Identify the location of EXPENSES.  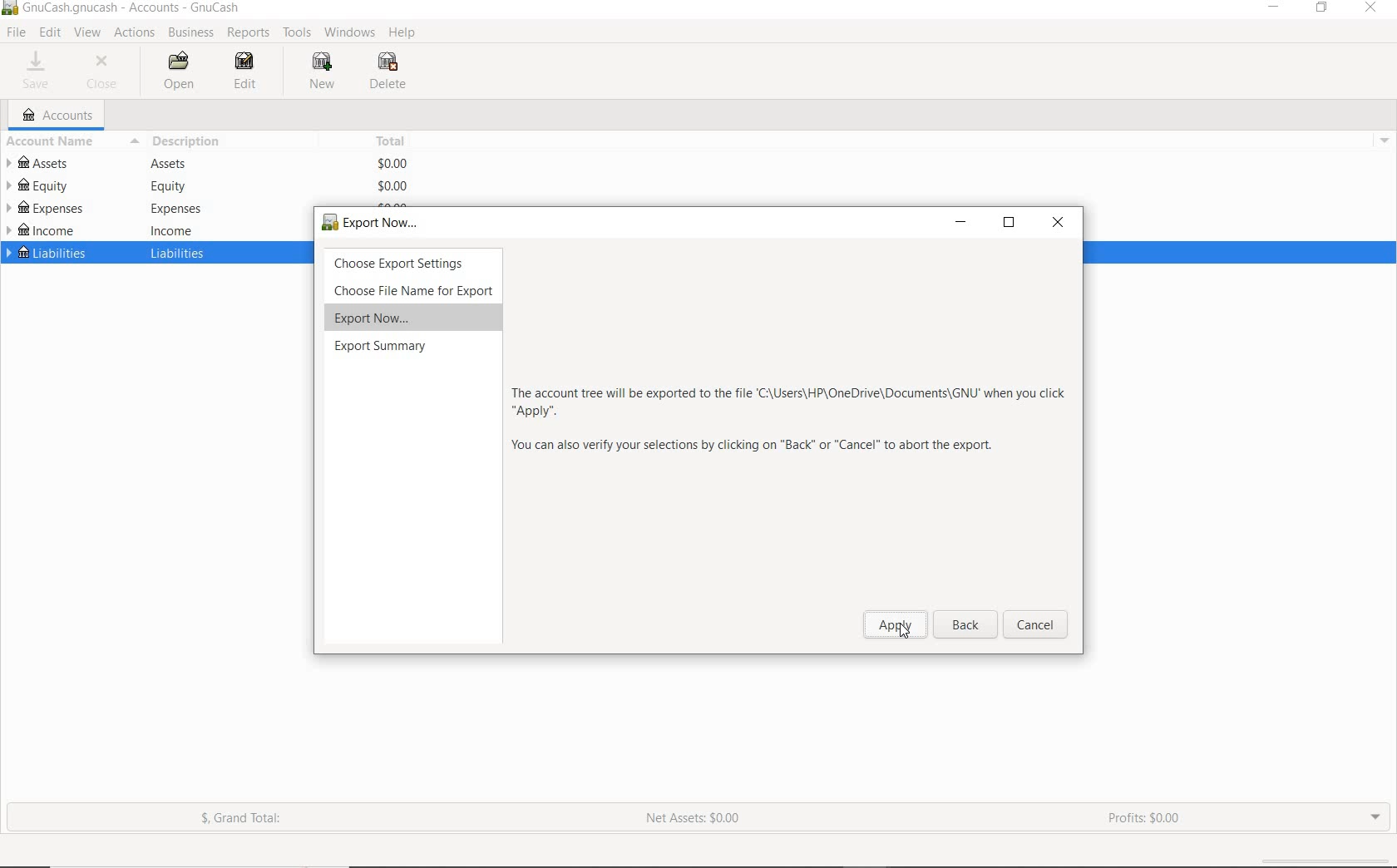
(45, 207).